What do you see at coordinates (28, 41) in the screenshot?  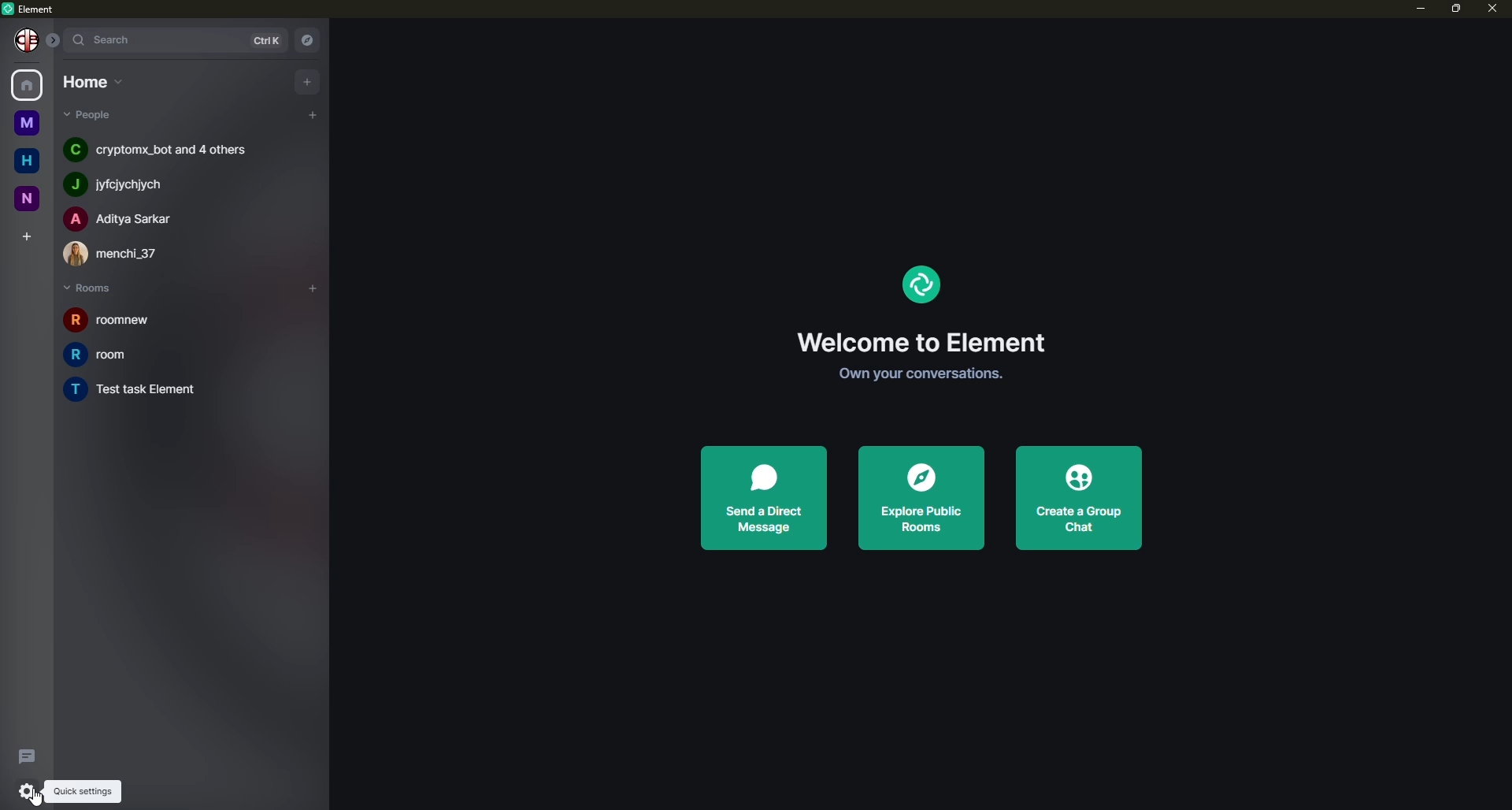 I see `` at bounding box center [28, 41].